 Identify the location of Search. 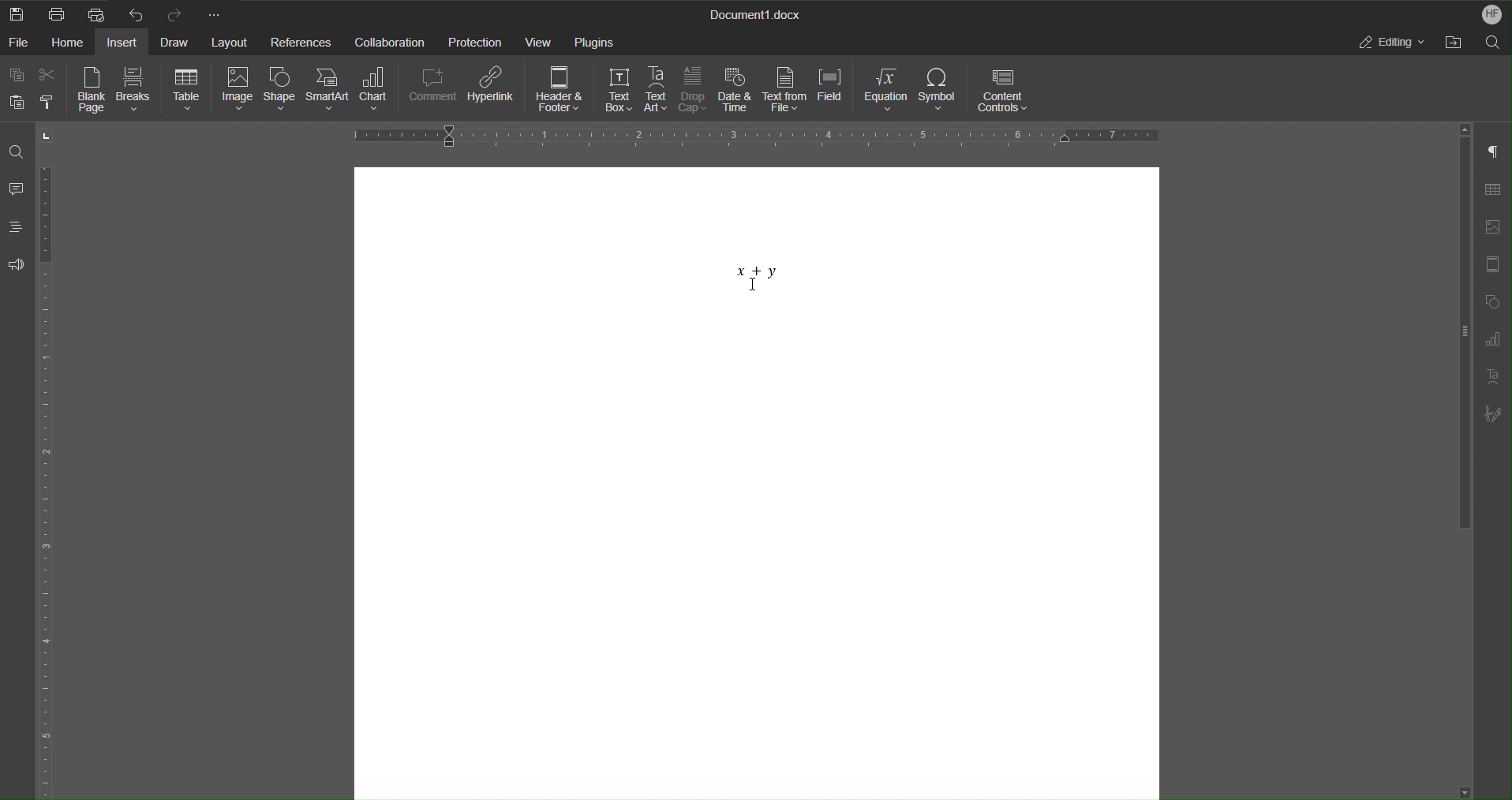
(1496, 43).